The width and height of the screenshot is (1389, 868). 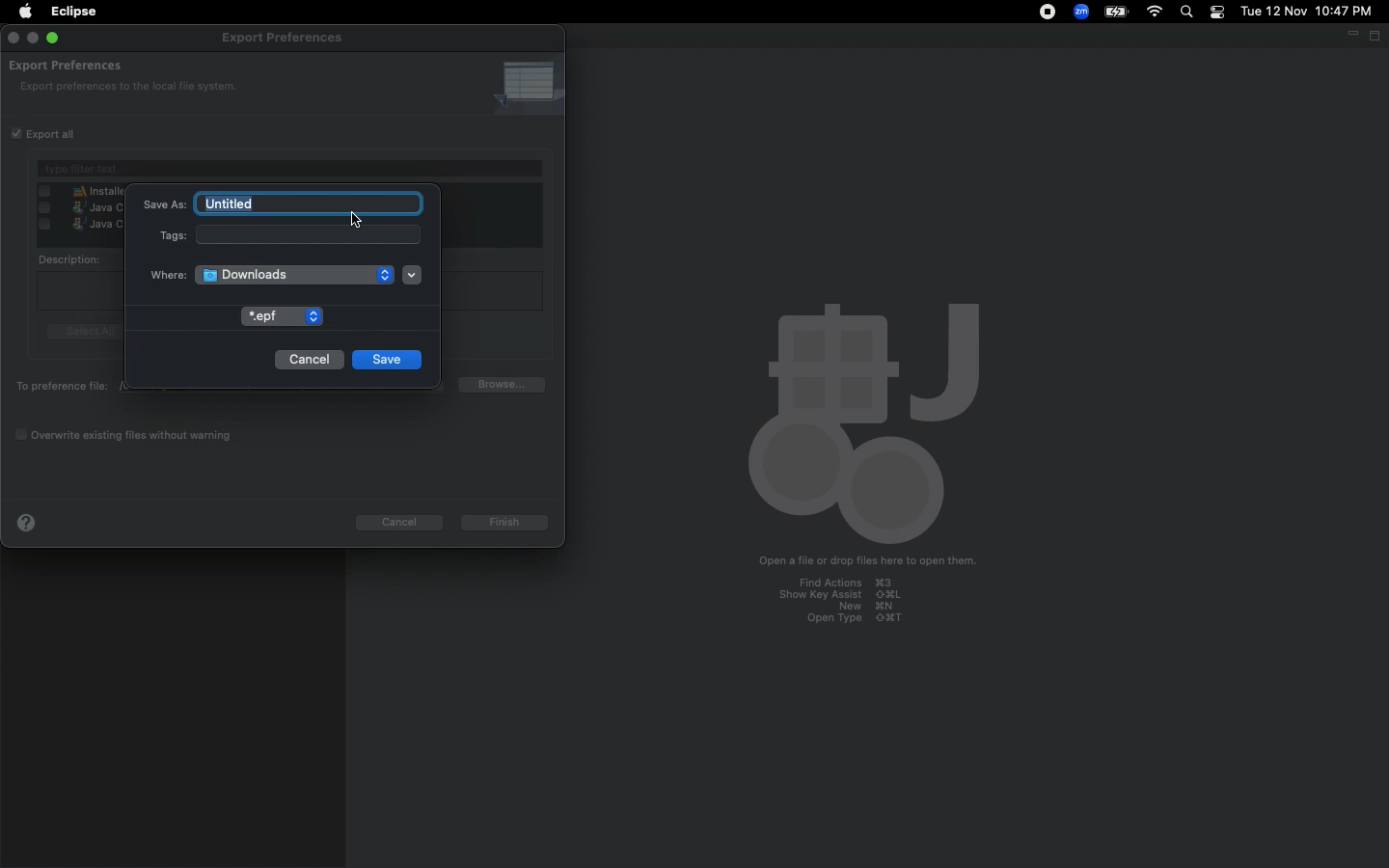 I want to click on Search, so click(x=1186, y=12).